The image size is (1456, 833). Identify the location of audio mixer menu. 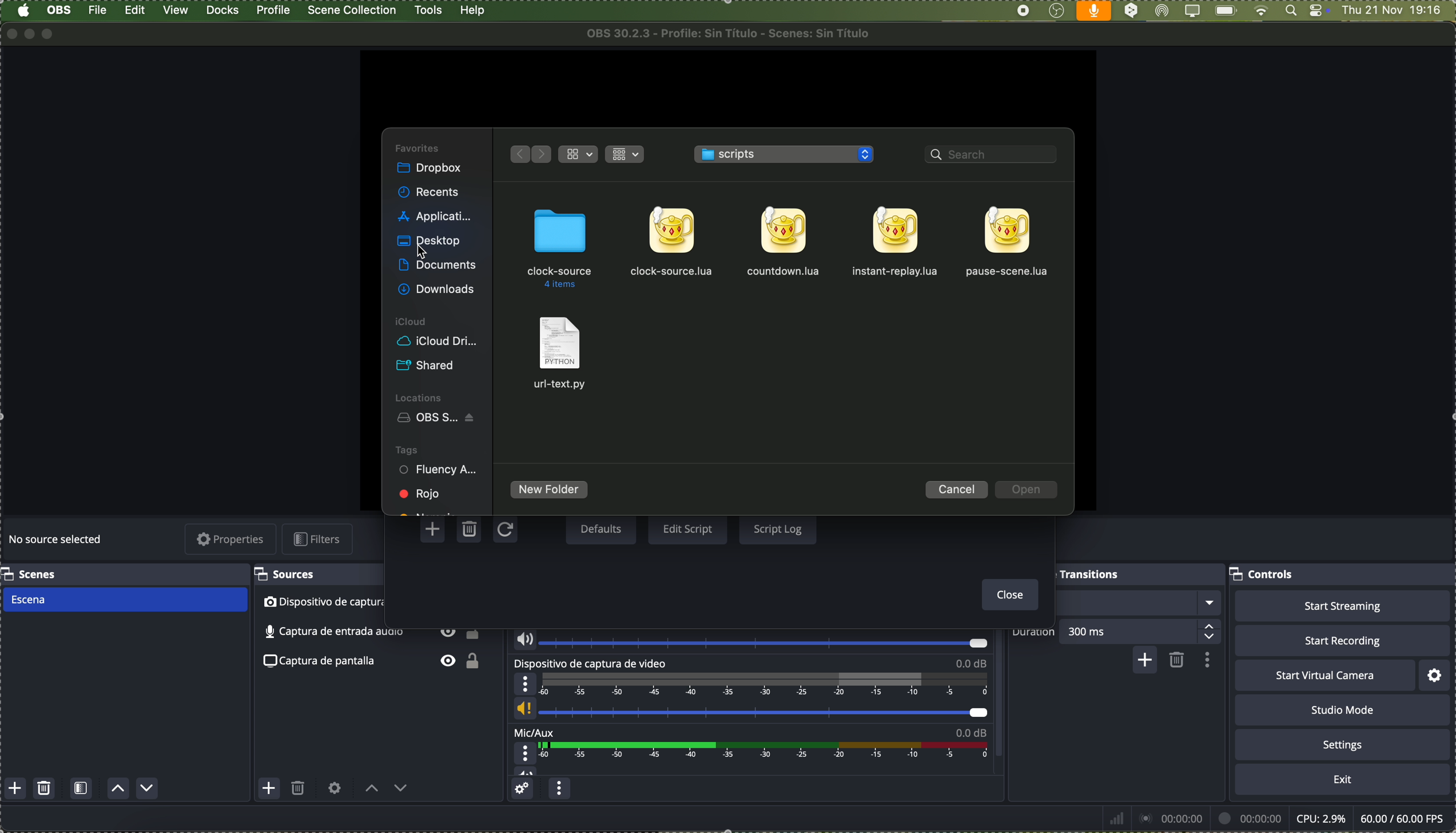
(559, 790).